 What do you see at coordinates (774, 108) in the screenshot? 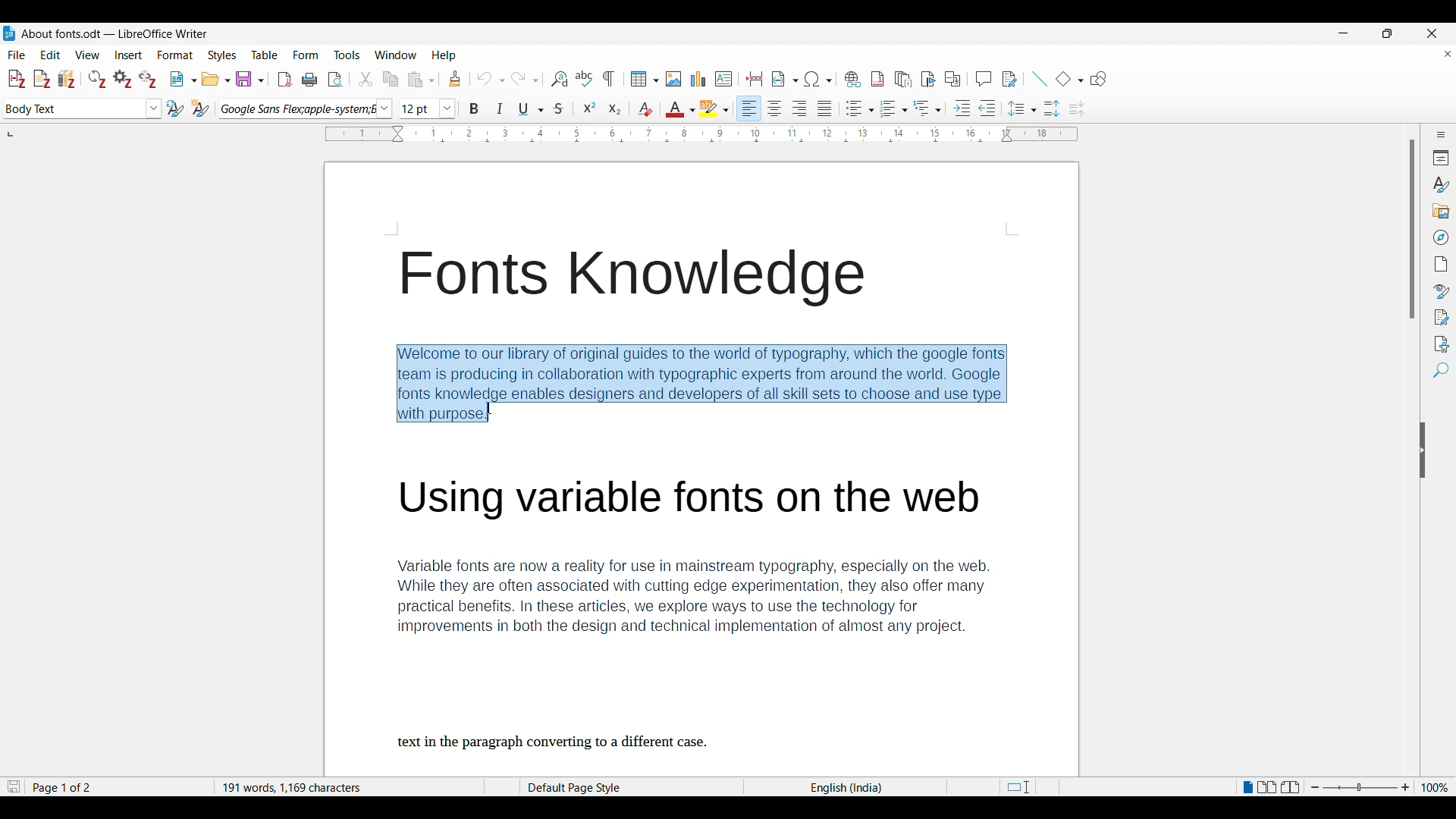
I see `Centre alignment` at bounding box center [774, 108].